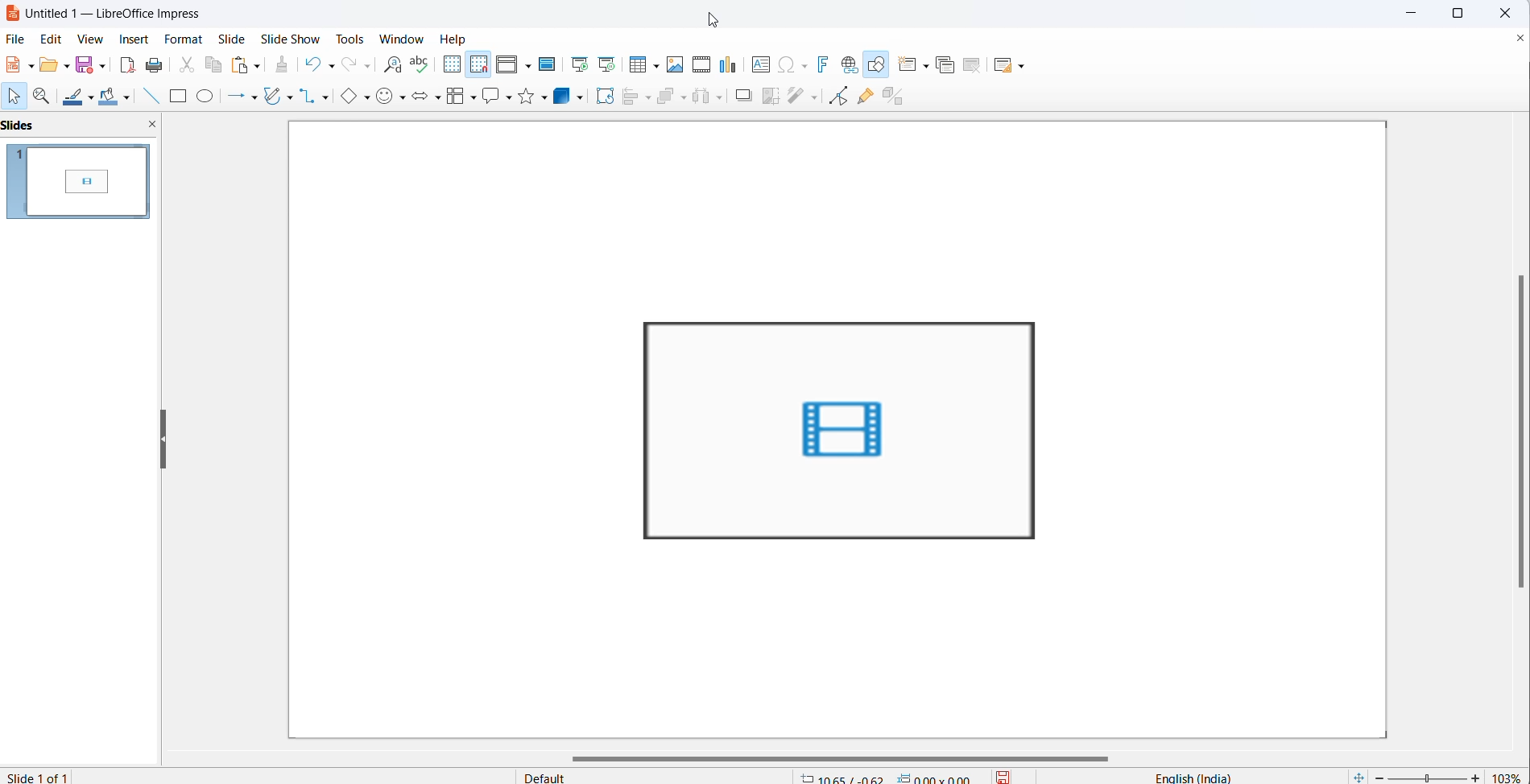 This screenshot has height=784, width=1530. What do you see at coordinates (93, 38) in the screenshot?
I see `view` at bounding box center [93, 38].